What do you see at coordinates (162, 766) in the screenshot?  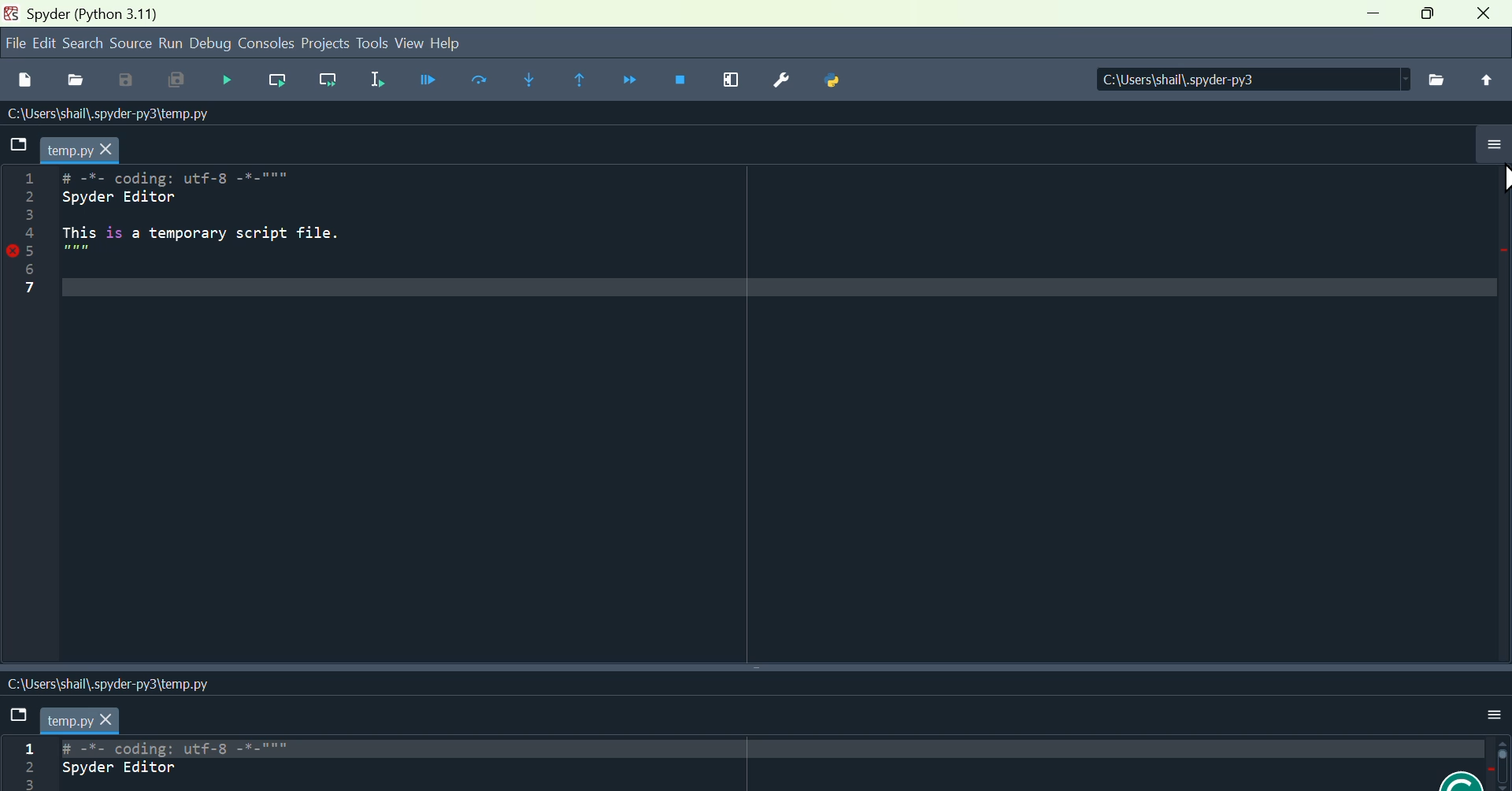 I see `Code` at bounding box center [162, 766].